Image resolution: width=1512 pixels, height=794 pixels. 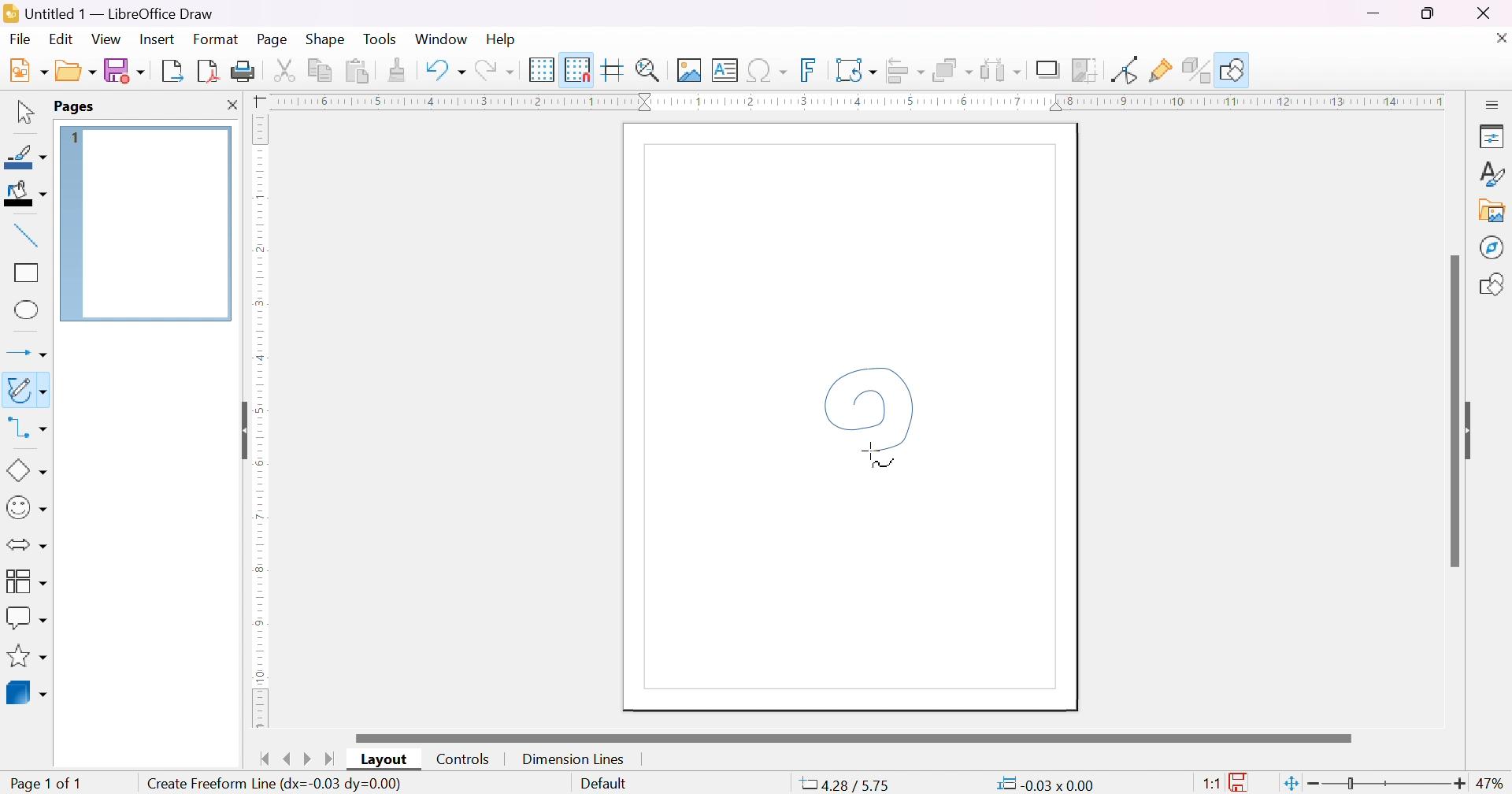 What do you see at coordinates (1493, 102) in the screenshot?
I see `slidebar settings` at bounding box center [1493, 102].